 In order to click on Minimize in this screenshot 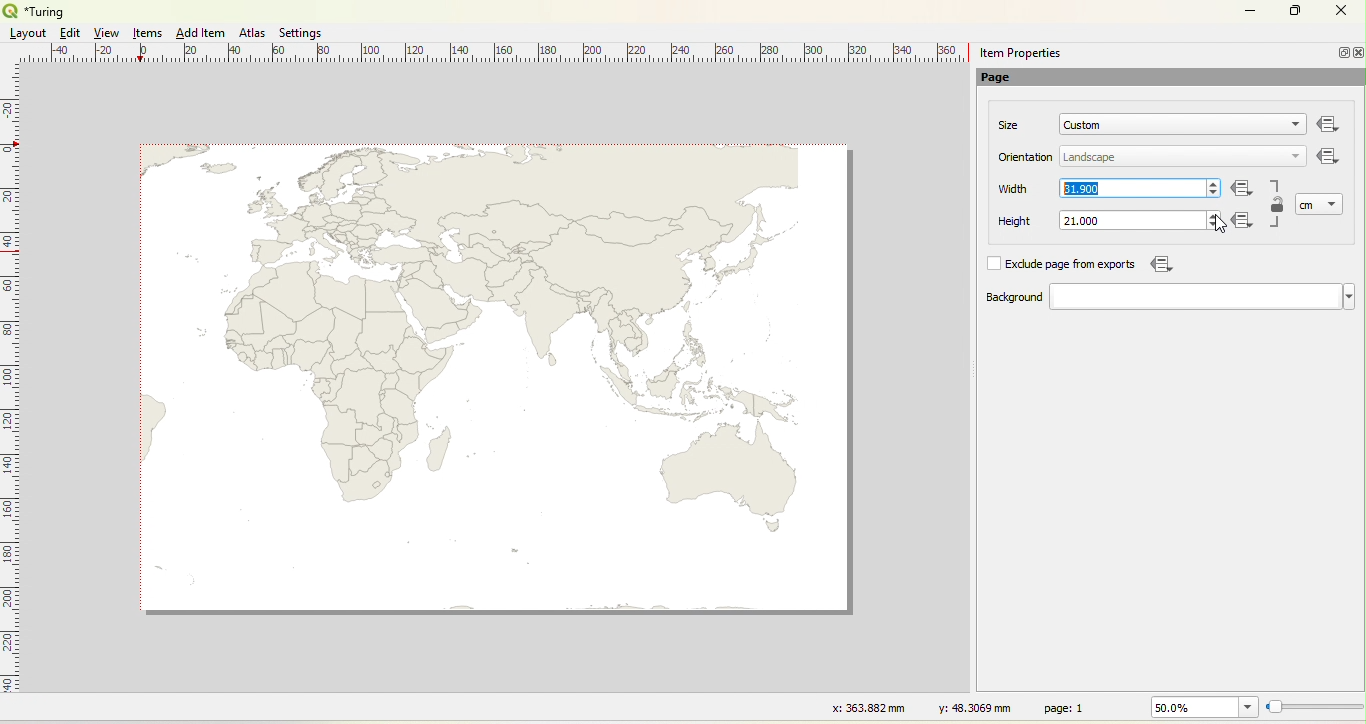, I will do `click(1341, 52)`.